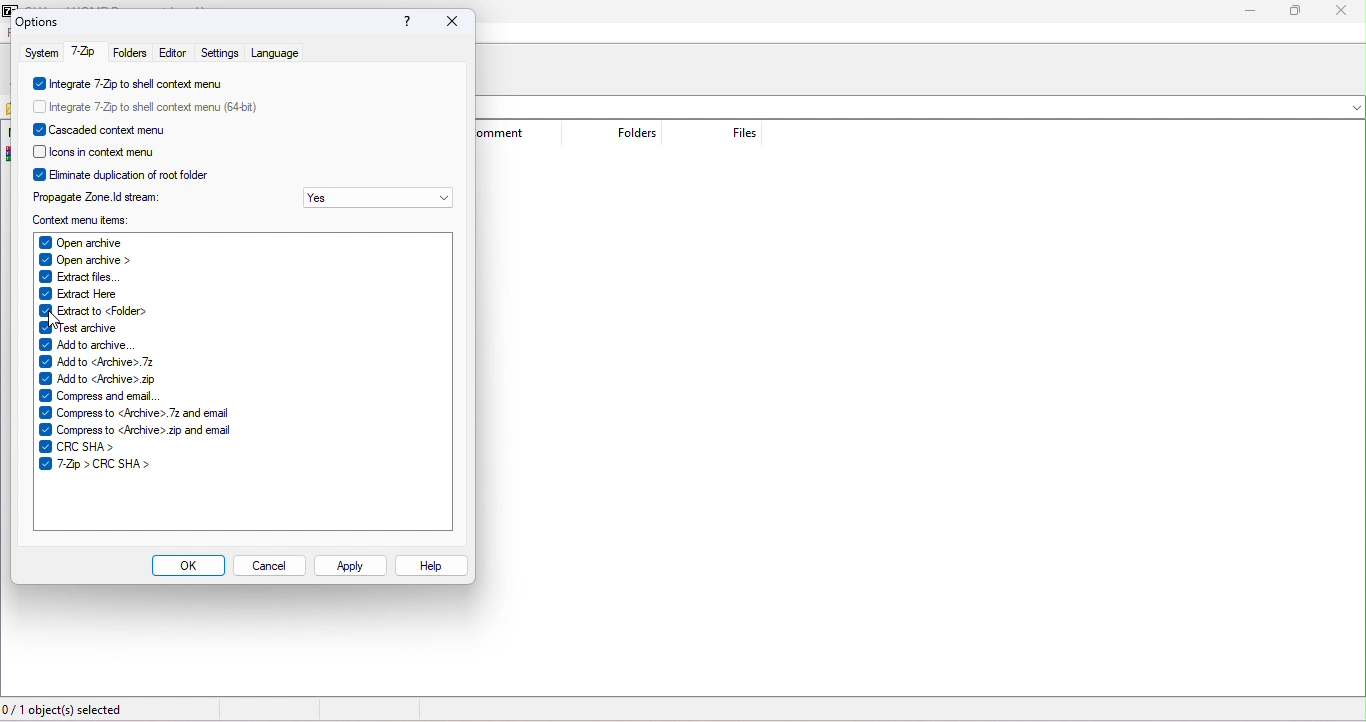 This screenshot has height=722, width=1366. What do you see at coordinates (379, 199) in the screenshot?
I see `yes` at bounding box center [379, 199].